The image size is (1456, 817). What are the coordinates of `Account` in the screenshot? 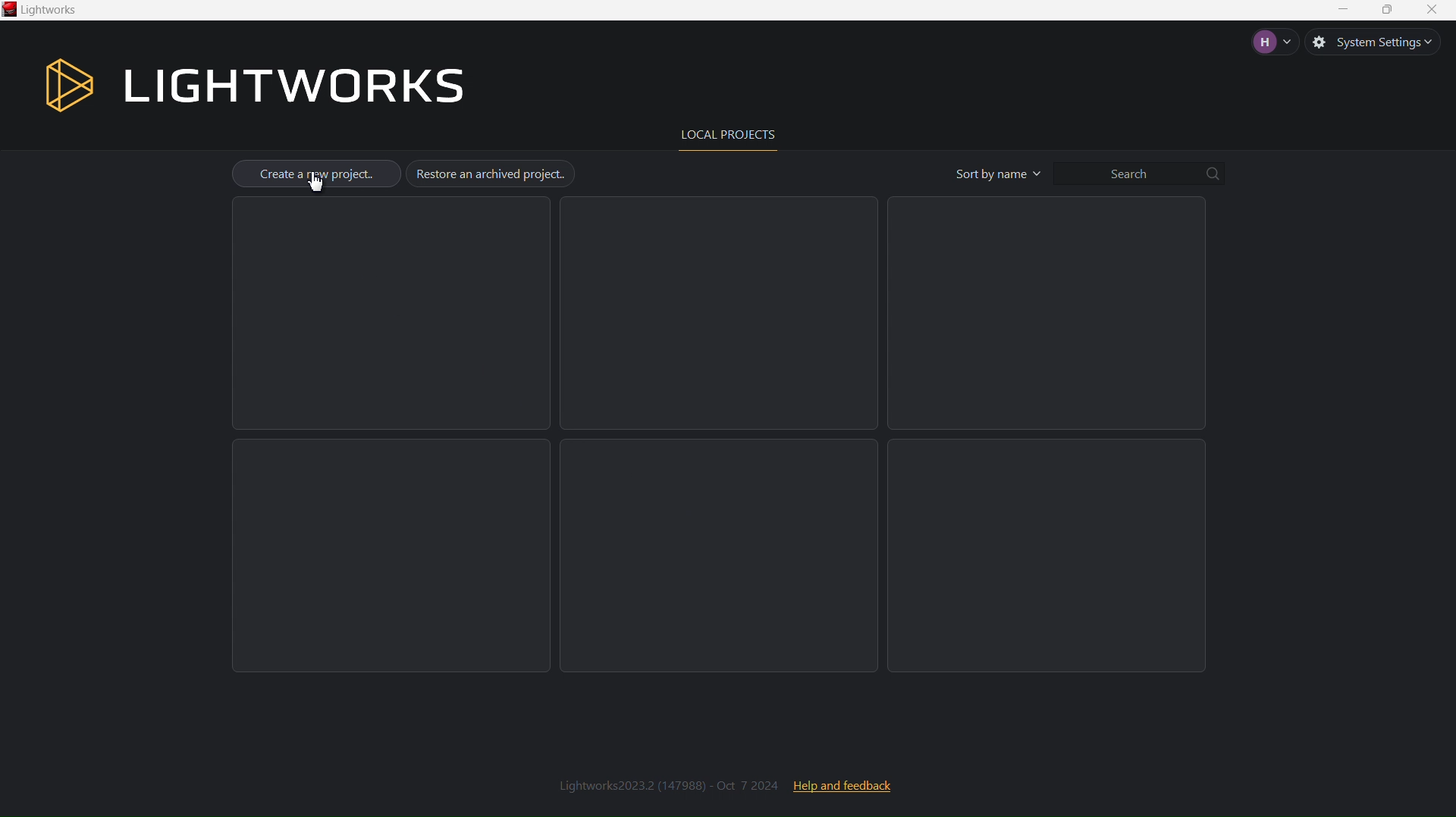 It's located at (1272, 42).